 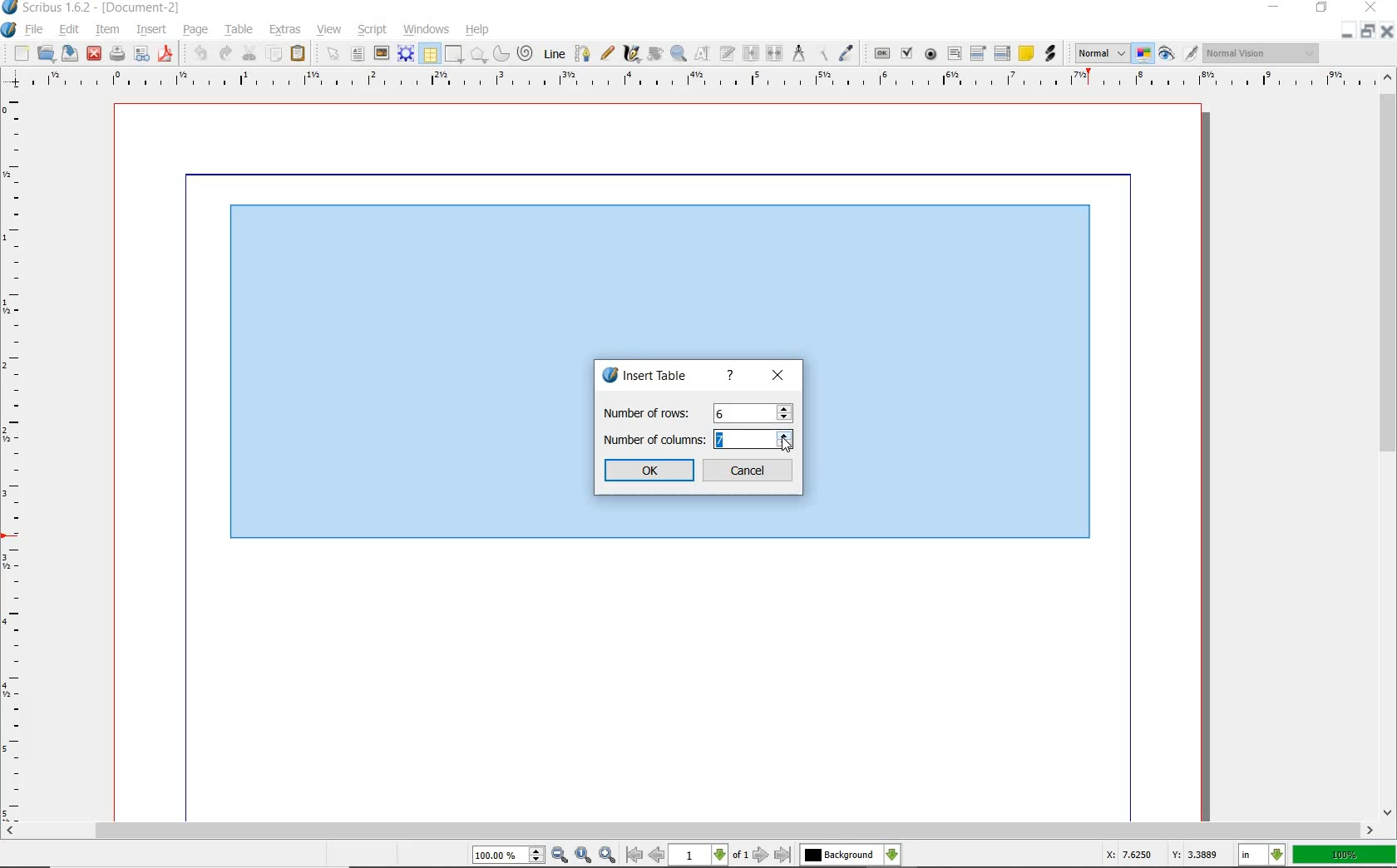 I want to click on new, so click(x=22, y=52).